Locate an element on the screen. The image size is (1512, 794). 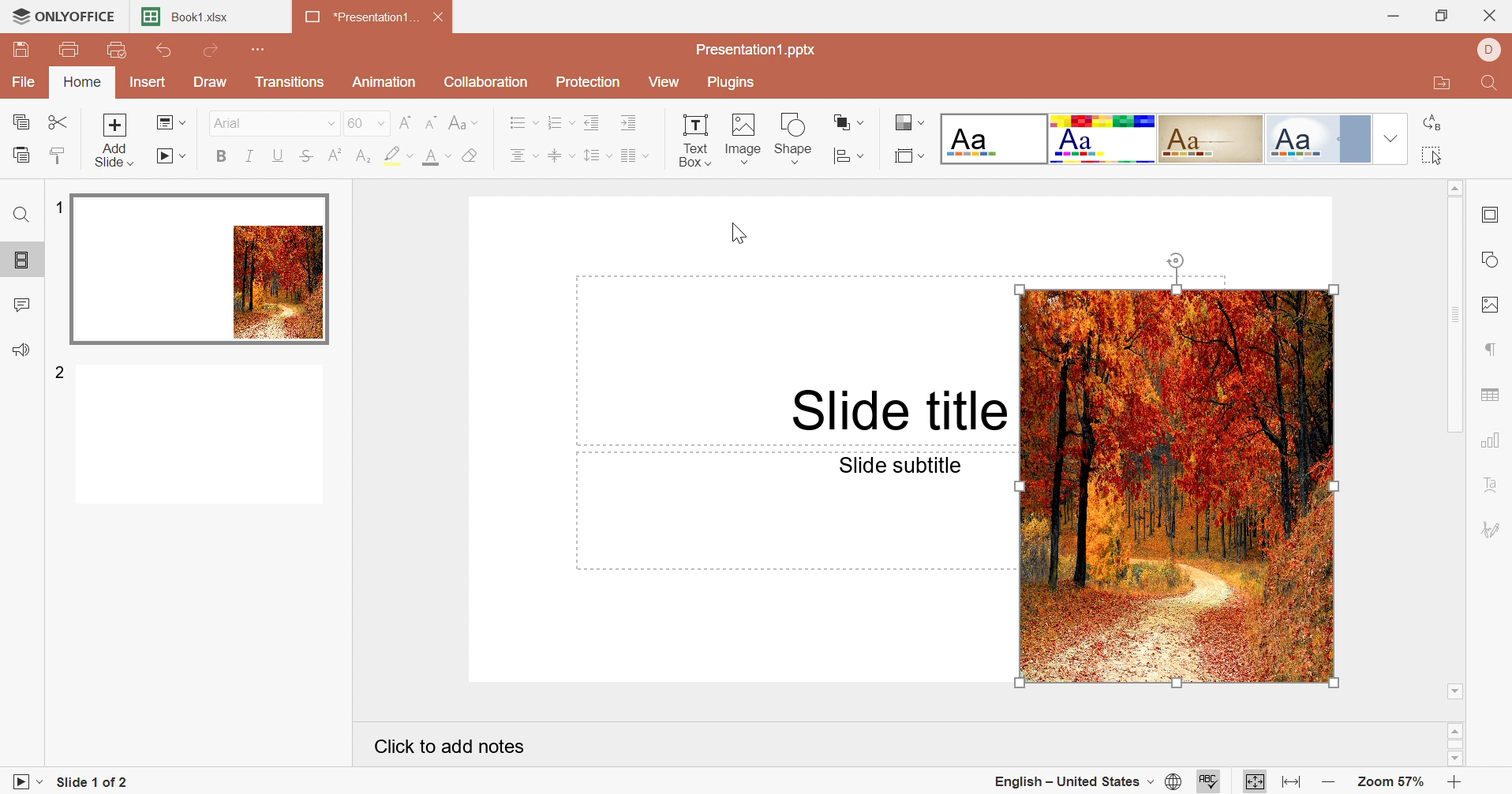
Home is located at coordinates (83, 83).